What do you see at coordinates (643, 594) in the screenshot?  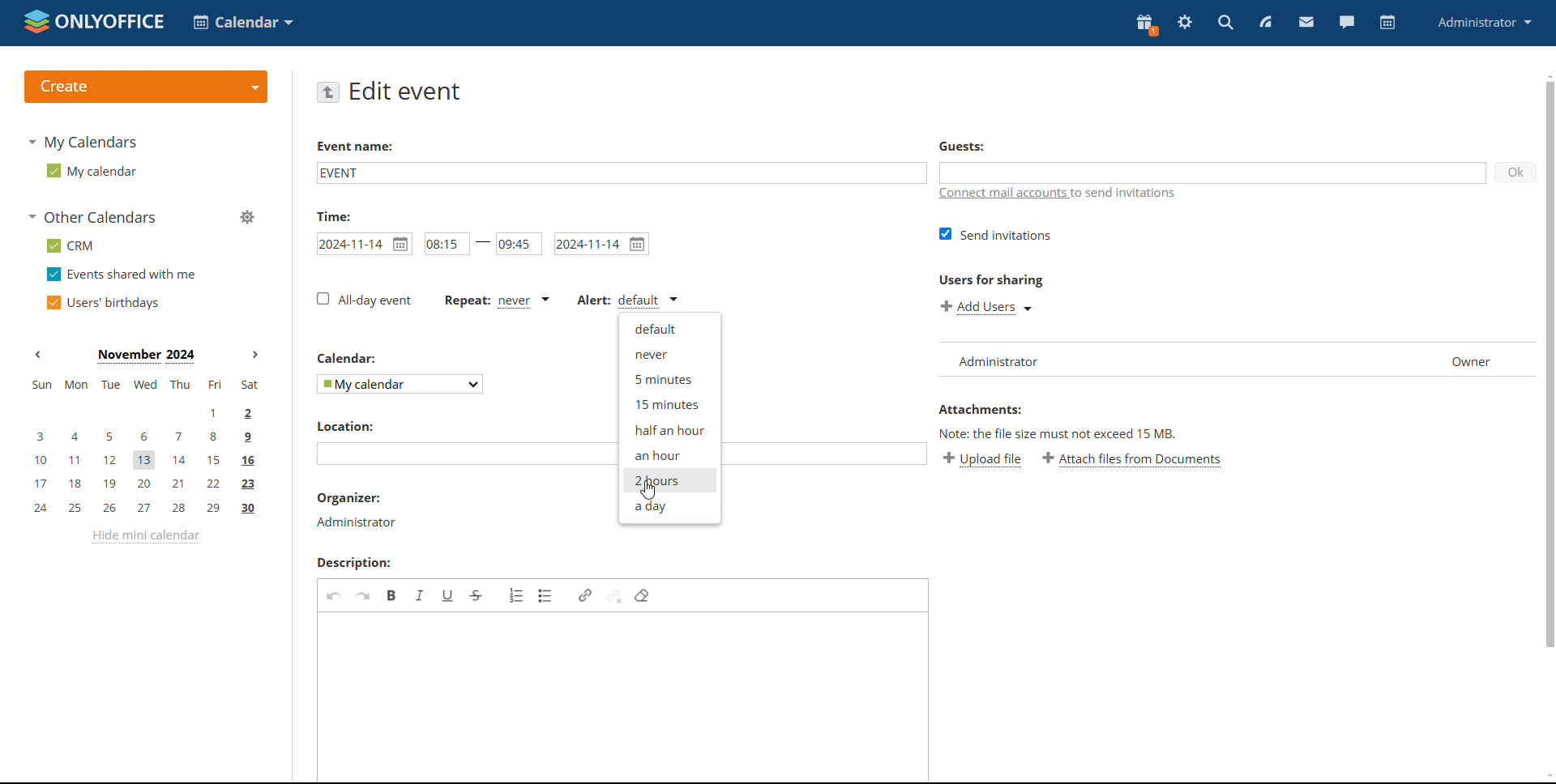 I see `remove format` at bounding box center [643, 594].